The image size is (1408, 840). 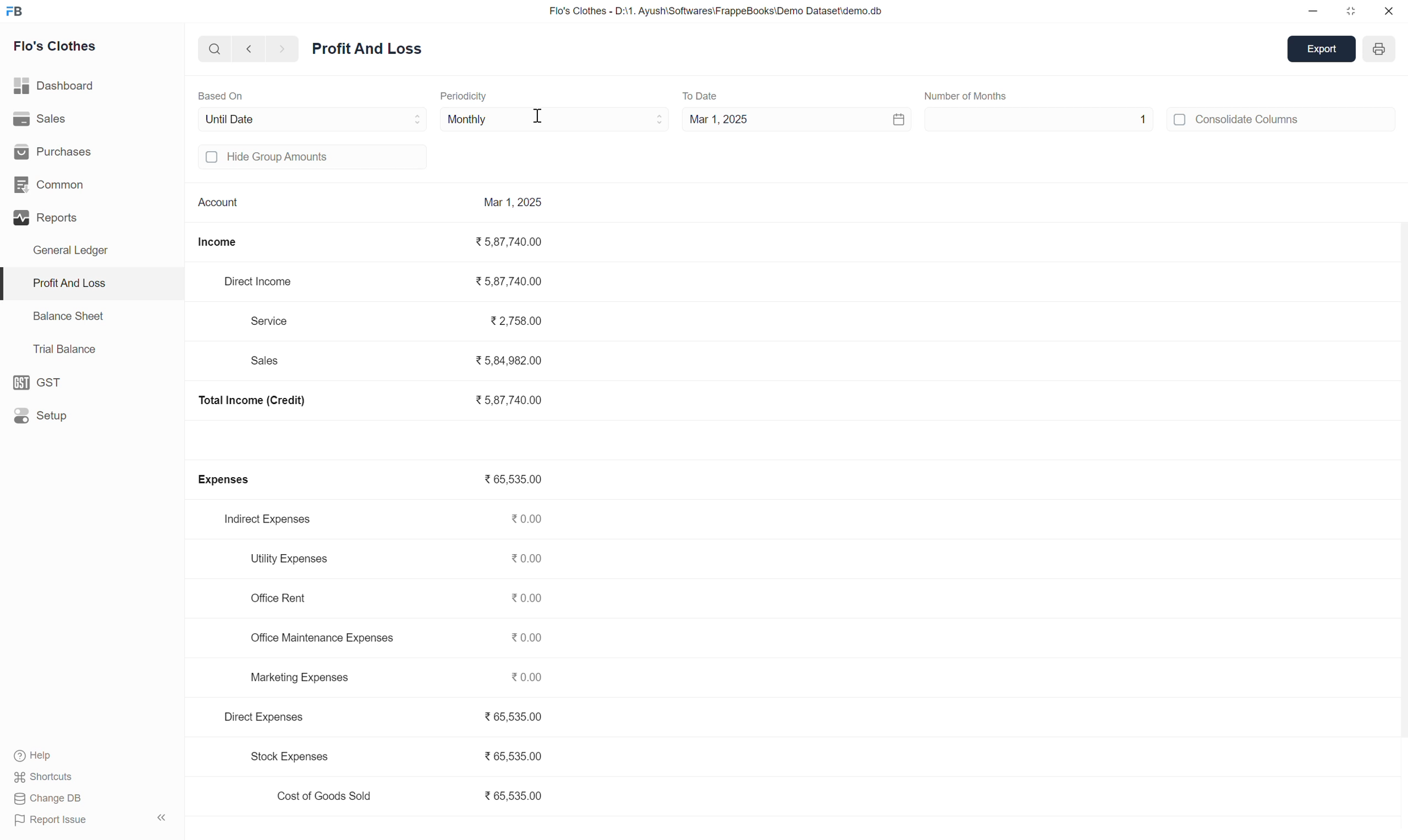 I want to click on Cursor, so click(x=541, y=120).